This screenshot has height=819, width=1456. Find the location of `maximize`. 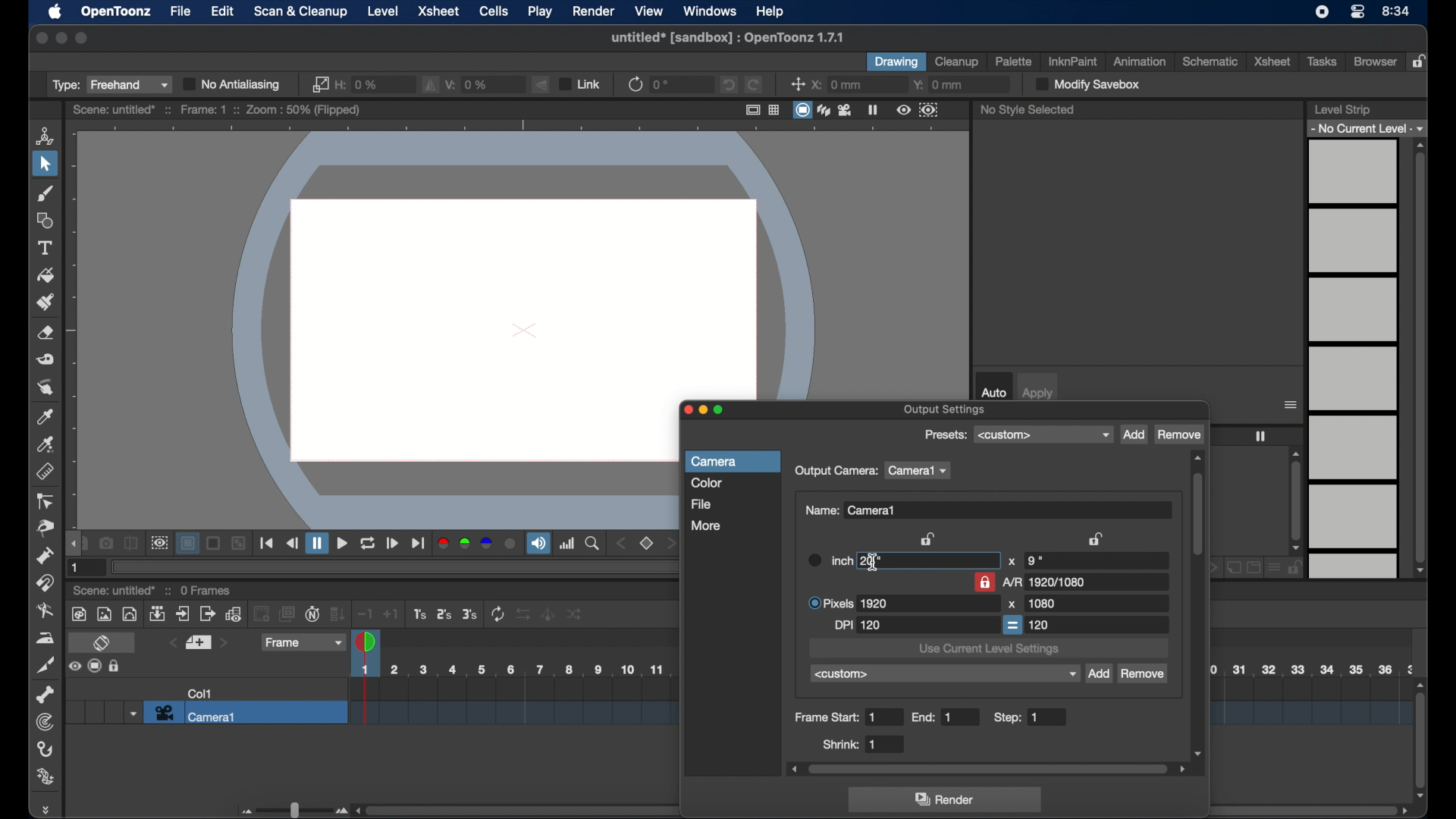

maximize is located at coordinates (82, 38).